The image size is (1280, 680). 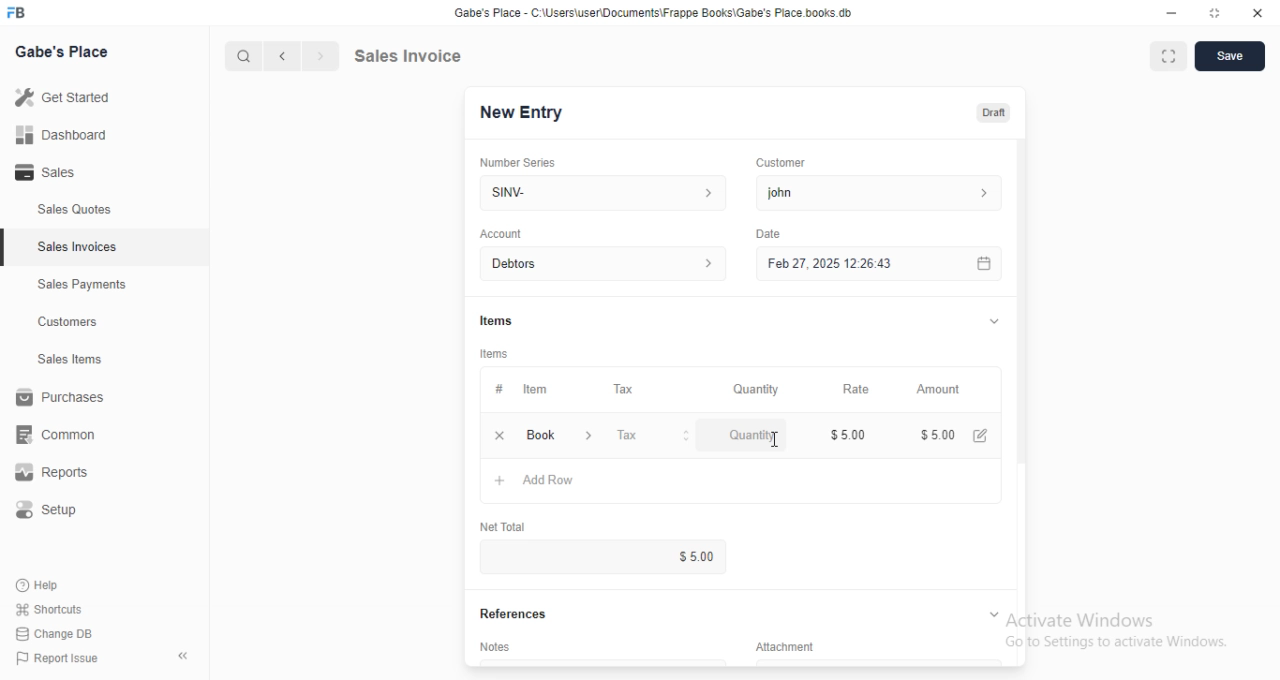 What do you see at coordinates (61, 660) in the screenshot?
I see `Report Issue` at bounding box center [61, 660].